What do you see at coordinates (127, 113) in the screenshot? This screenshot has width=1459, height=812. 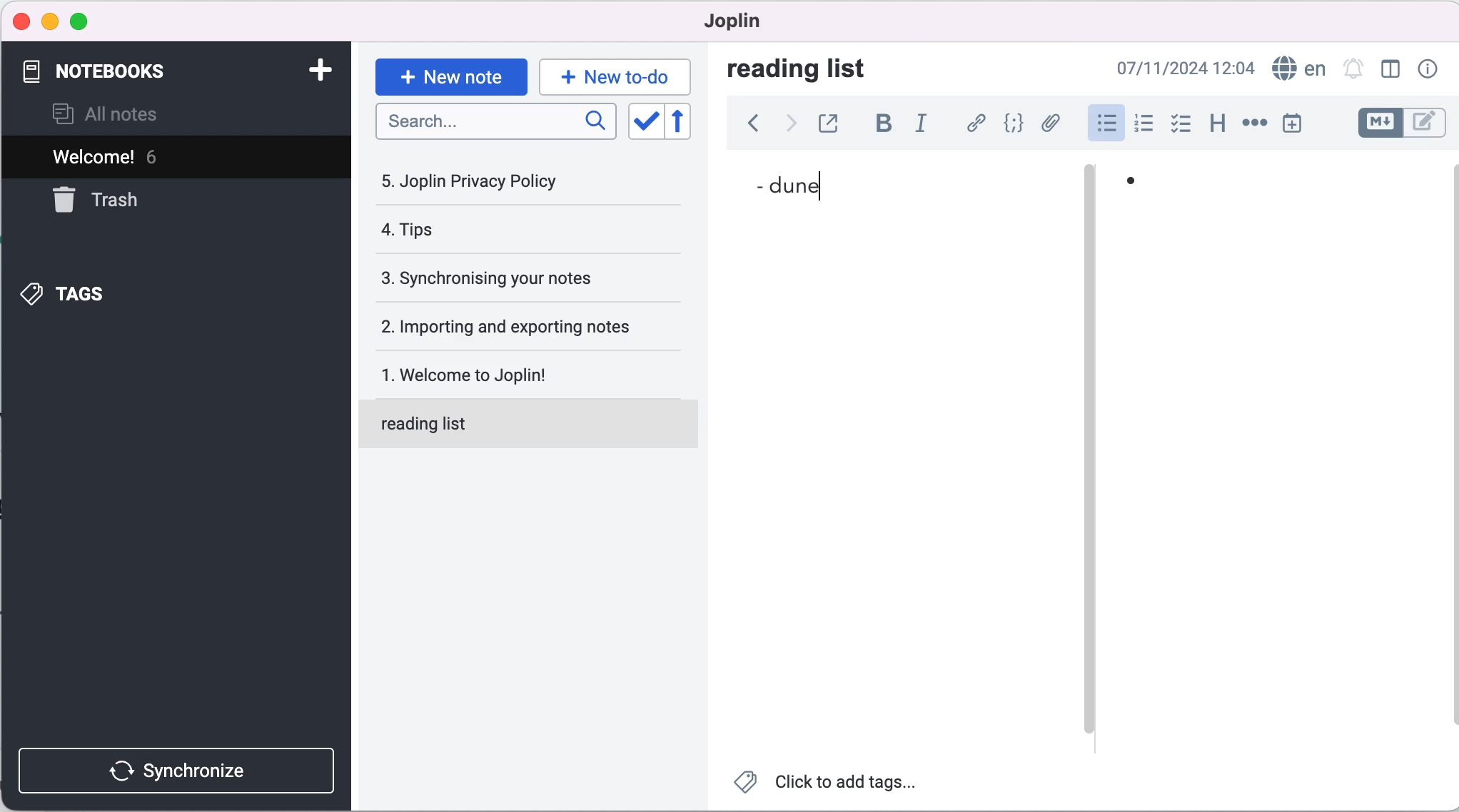 I see `all notes` at bounding box center [127, 113].